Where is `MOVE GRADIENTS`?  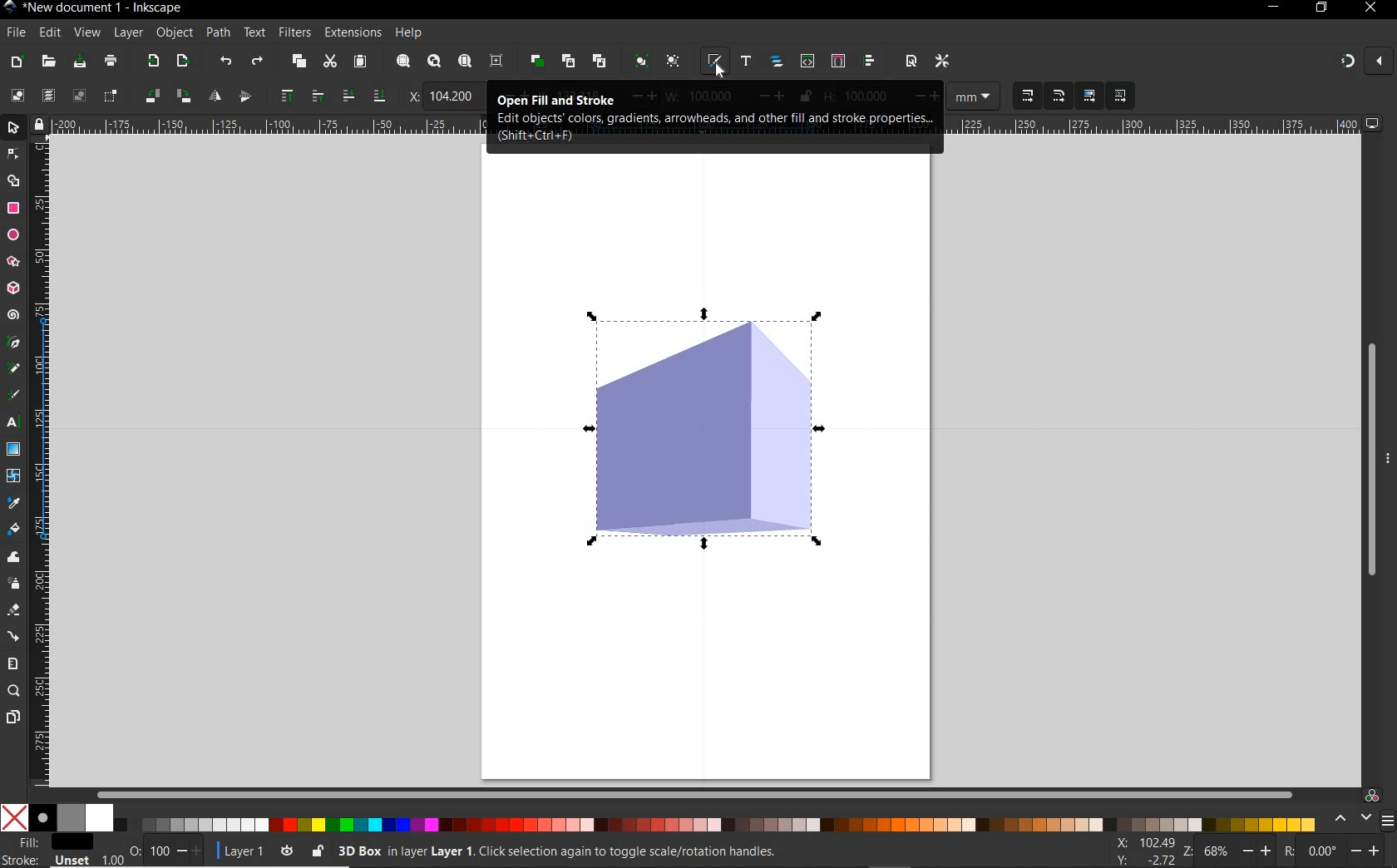 MOVE GRADIENTS is located at coordinates (1088, 95).